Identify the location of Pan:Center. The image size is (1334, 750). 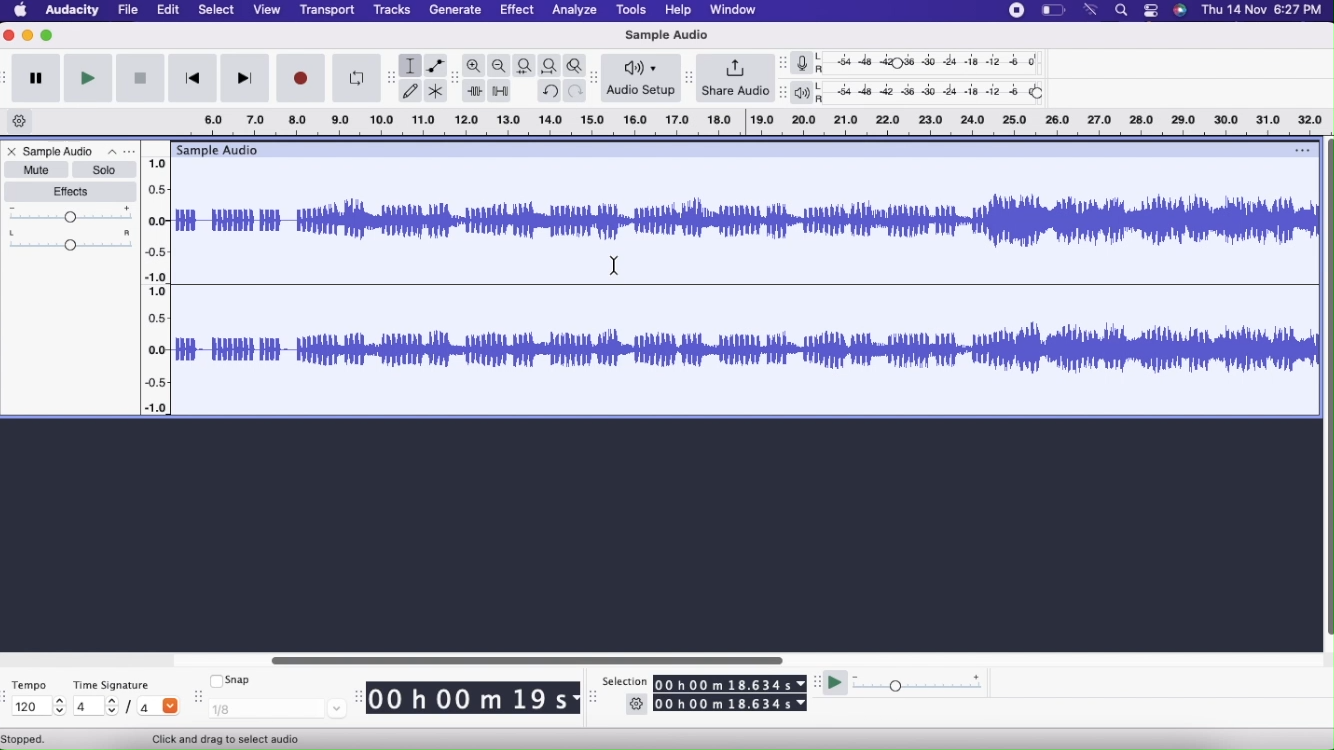
(71, 243).